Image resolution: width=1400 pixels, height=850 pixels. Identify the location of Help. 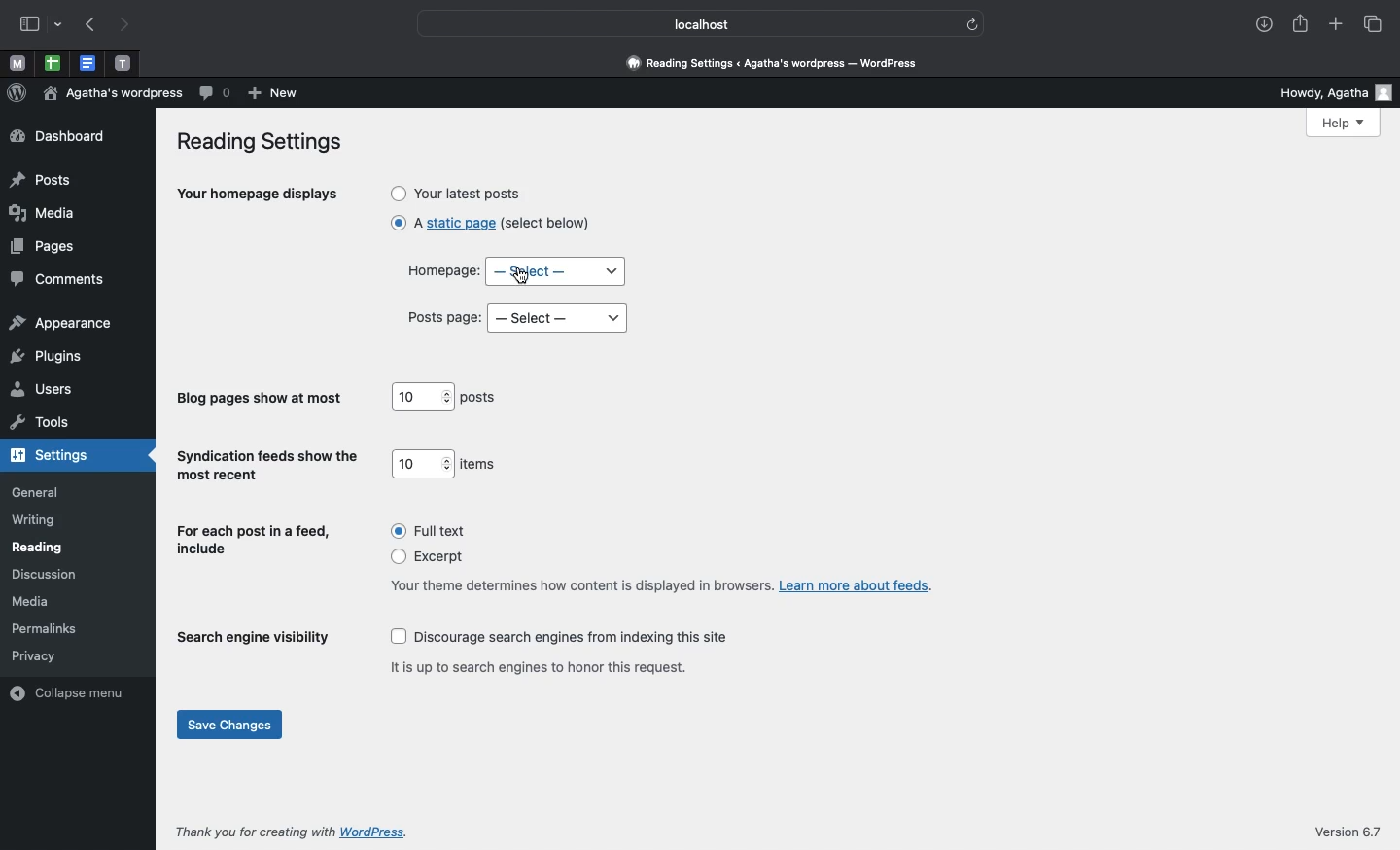
(1347, 124).